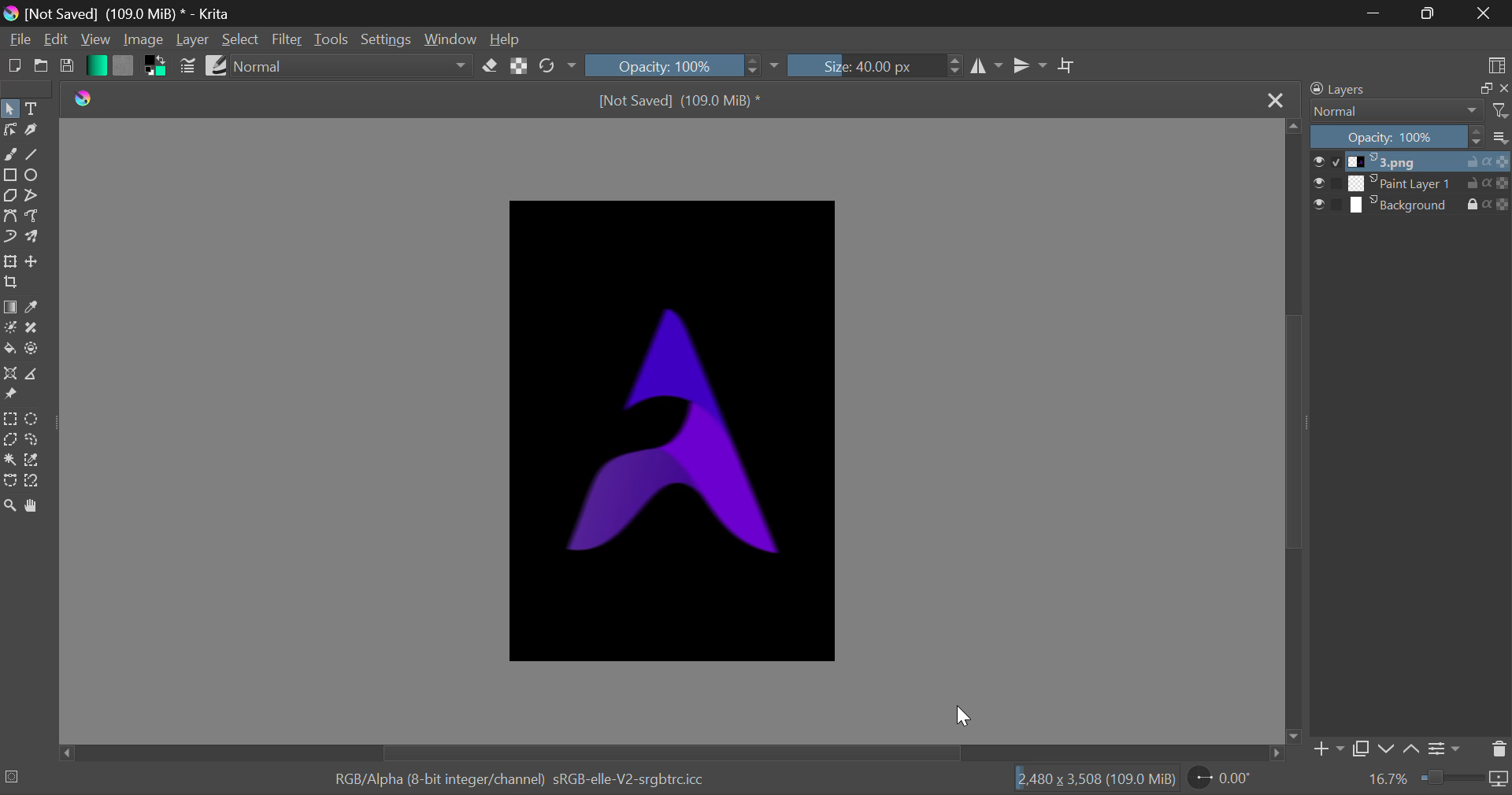 The image size is (1512, 795). Describe the element at coordinates (507, 39) in the screenshot. I see `Help` at that location.